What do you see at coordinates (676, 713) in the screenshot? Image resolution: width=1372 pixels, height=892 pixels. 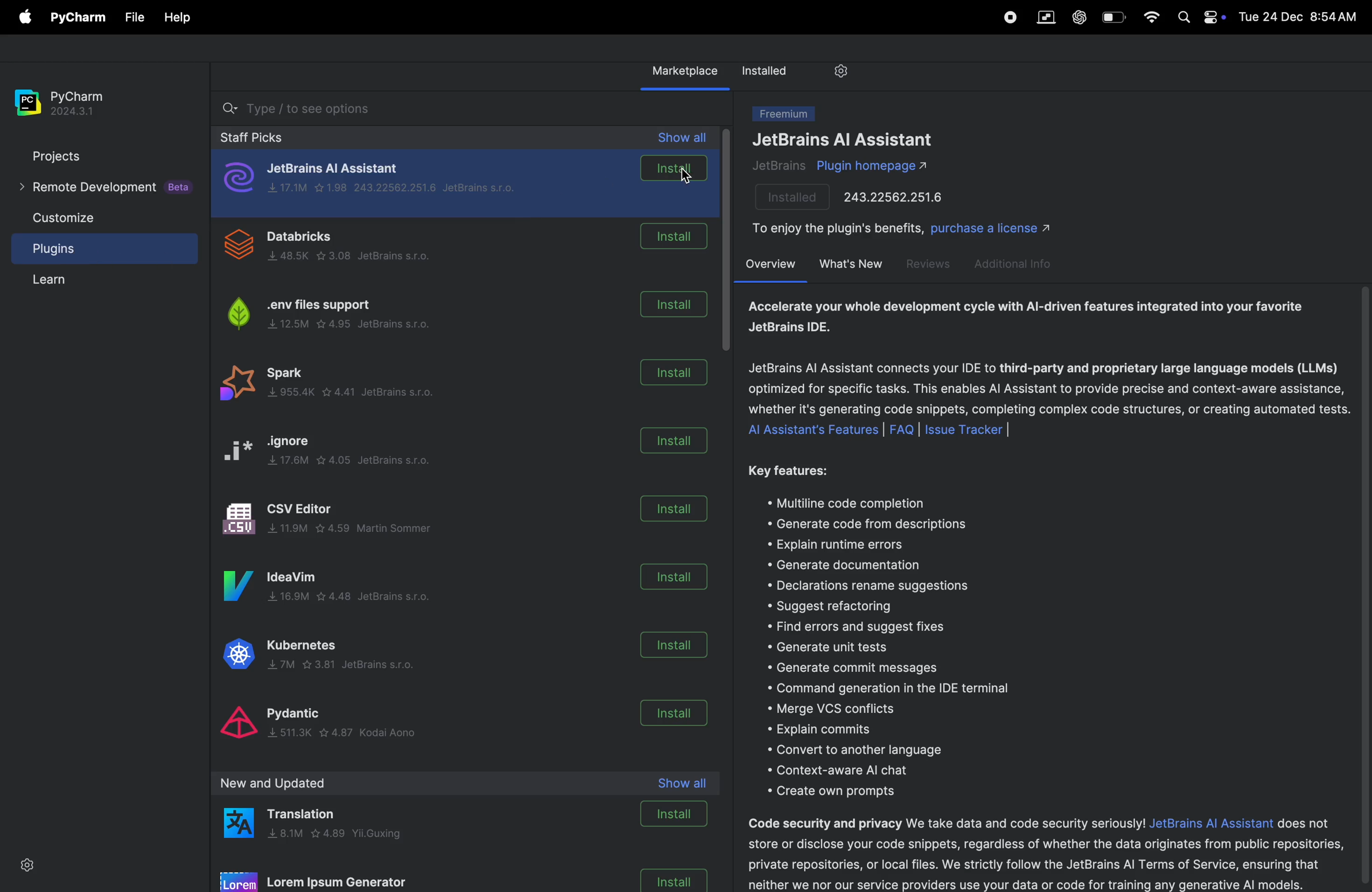 I see `install` at bounding box center [676, 713].